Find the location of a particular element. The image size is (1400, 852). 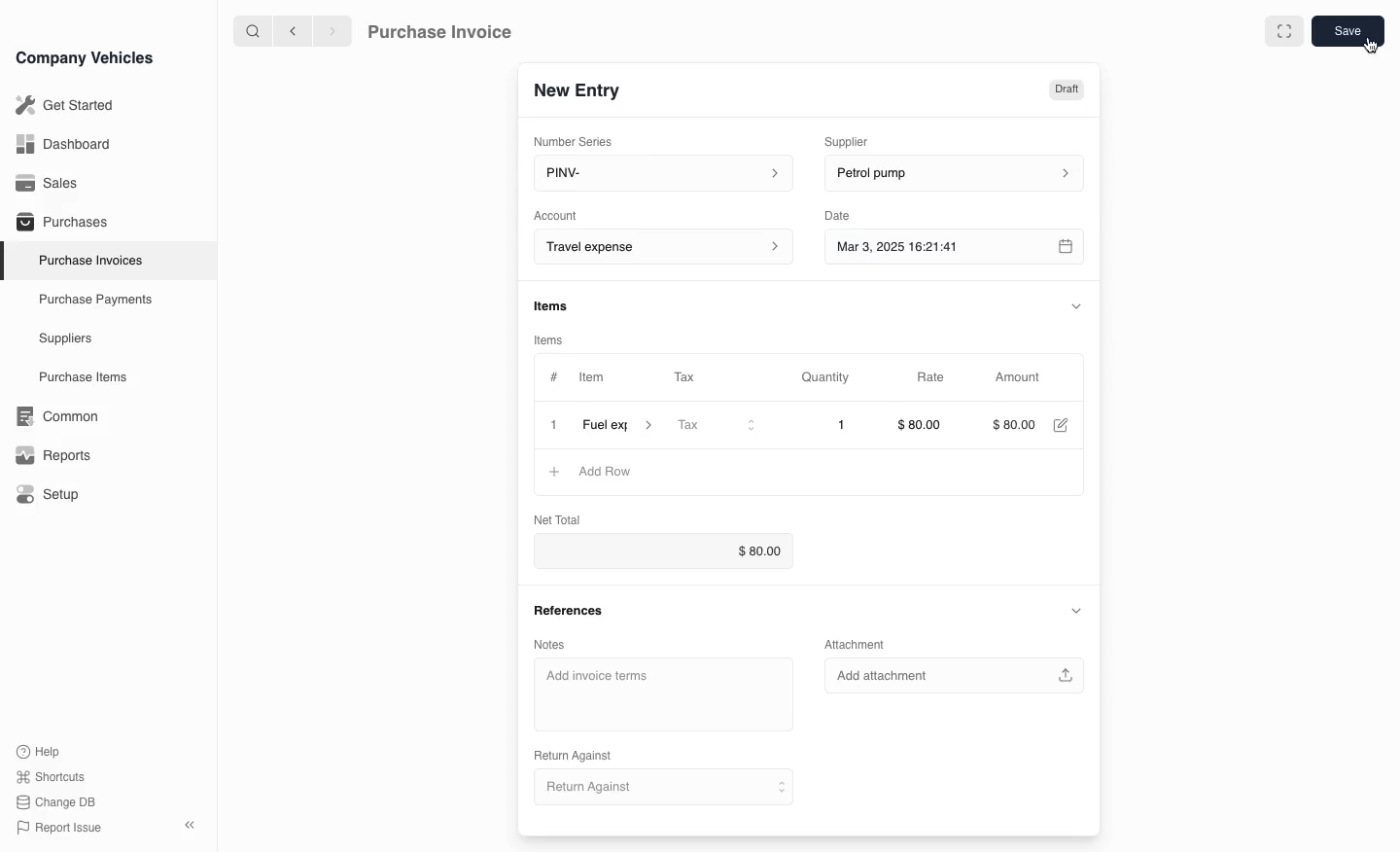

Purchase Payments is located at coordinates (93, 300).